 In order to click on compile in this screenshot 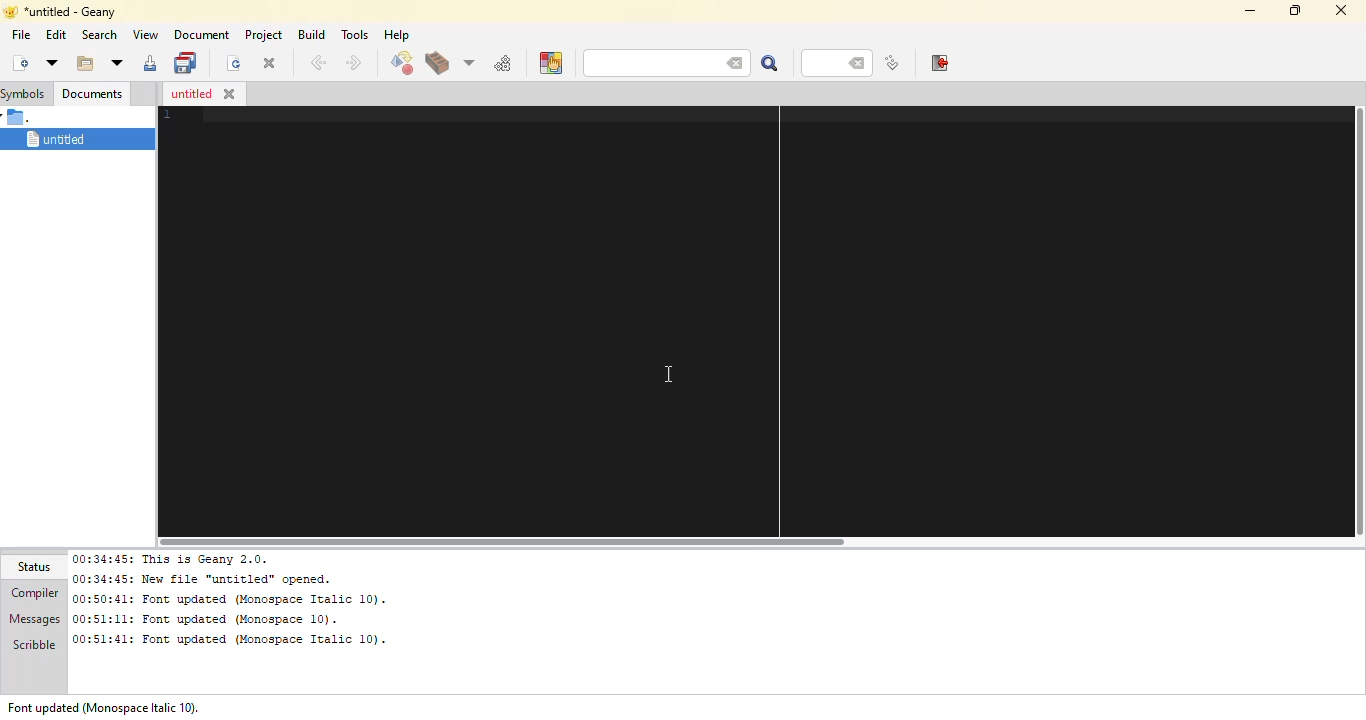, I will do `click(401, 64)`.